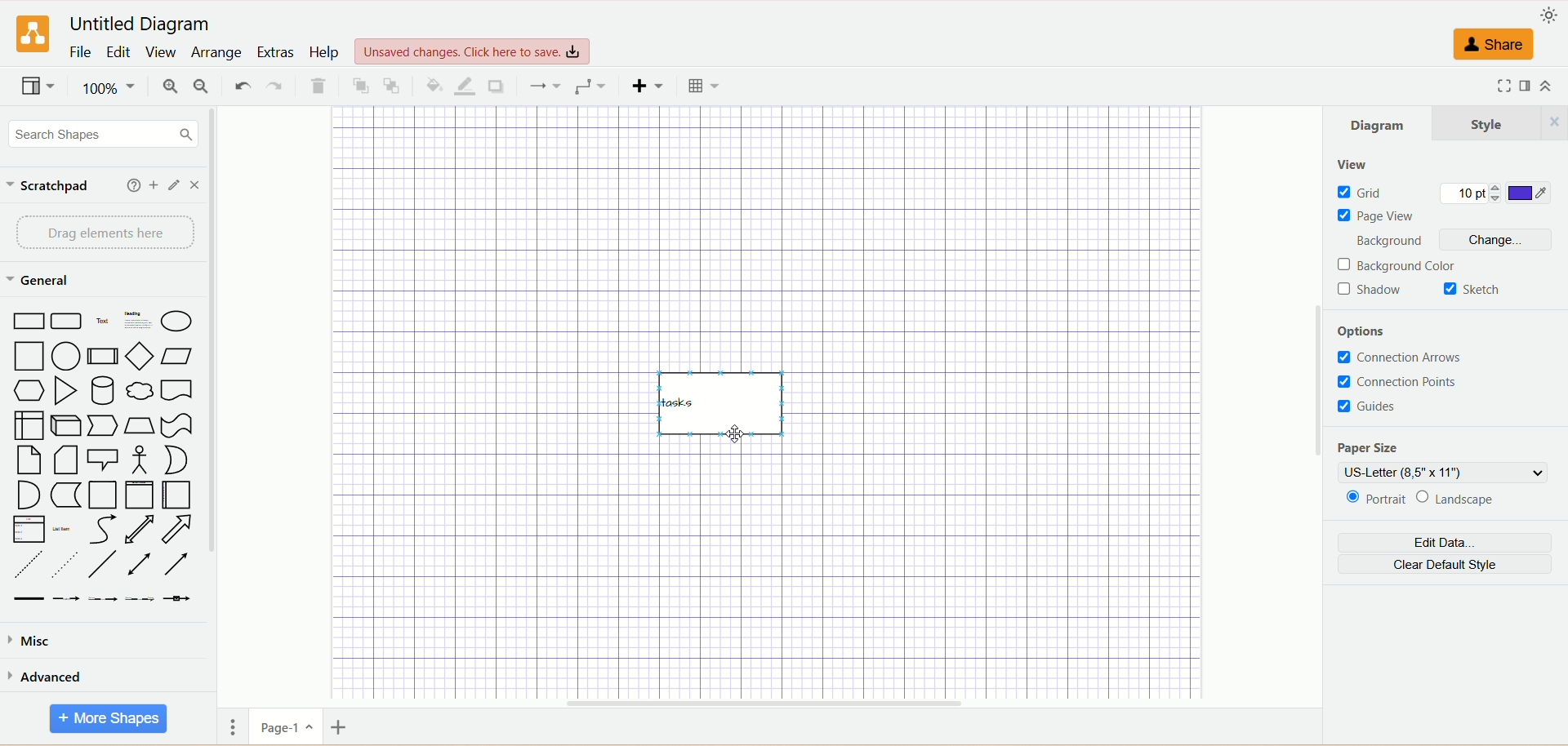 The height and width of the screenshot is (746, 1568). I want to click on Divided Bar, so click(104, 357).